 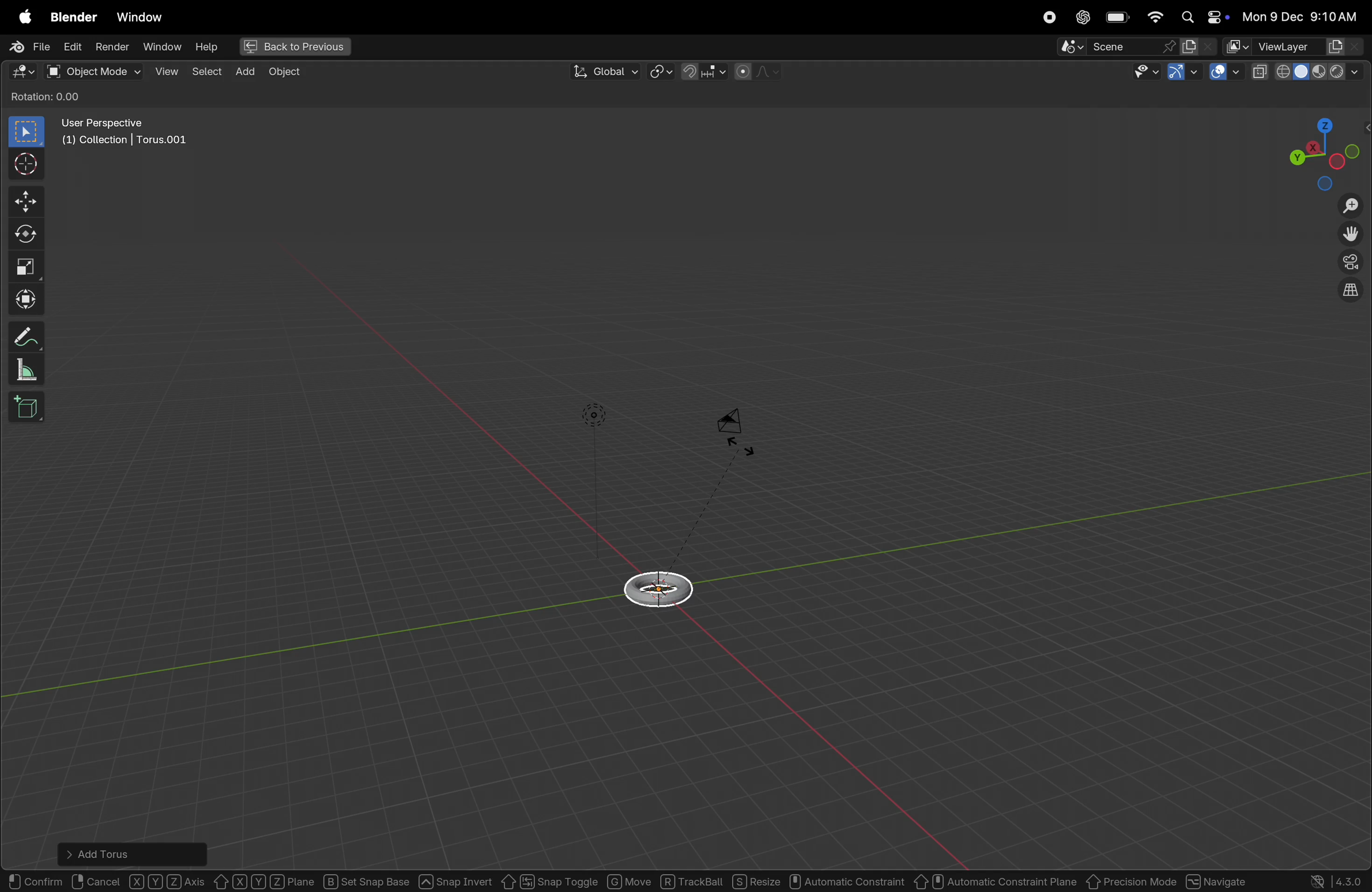 What do you see at coordinates (1182, 73) in the screenshot?
I see `Gimzos` at bounding box center [1182, 73].